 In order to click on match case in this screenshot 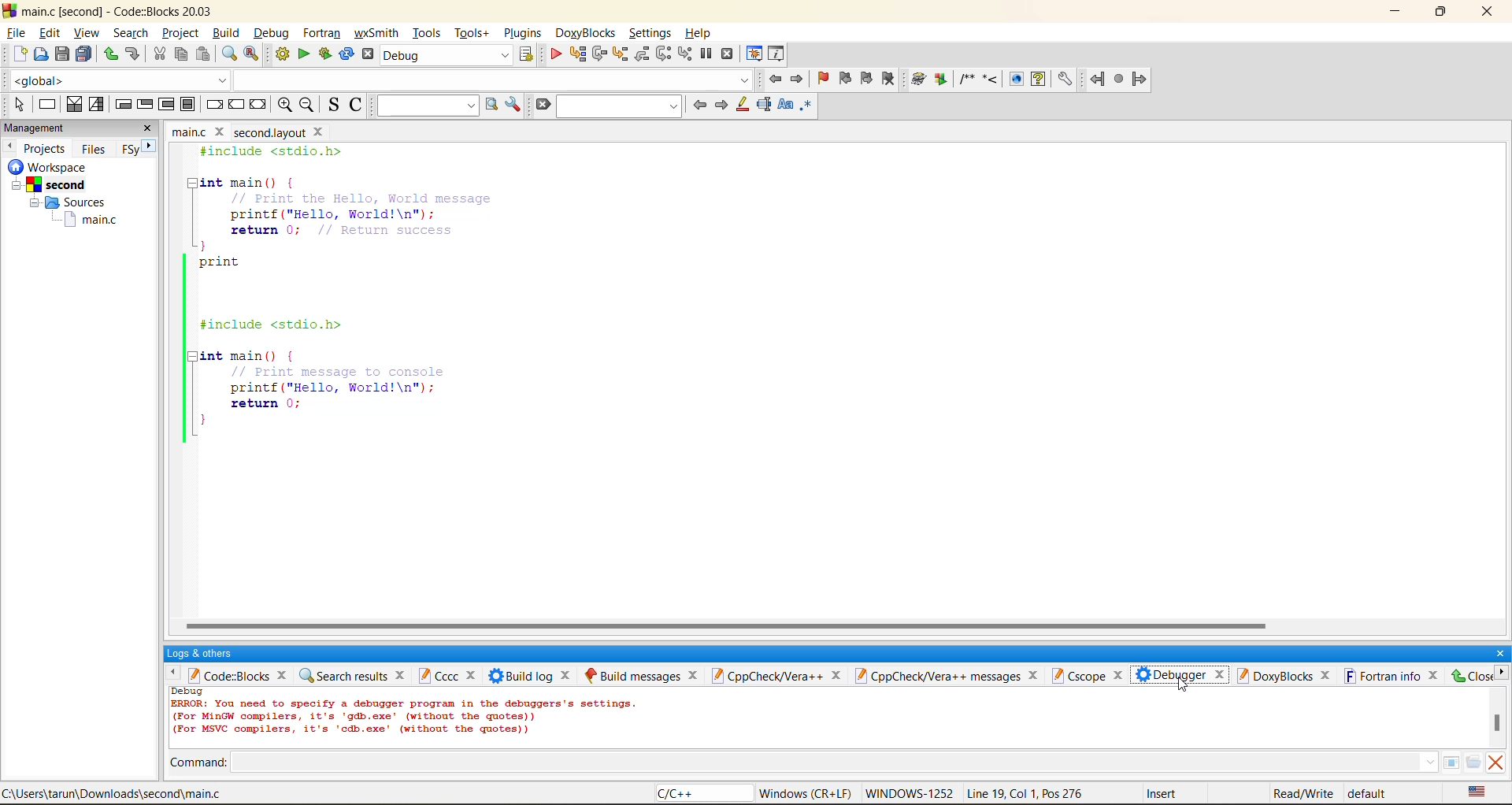, I will do `click(784, 106)`.